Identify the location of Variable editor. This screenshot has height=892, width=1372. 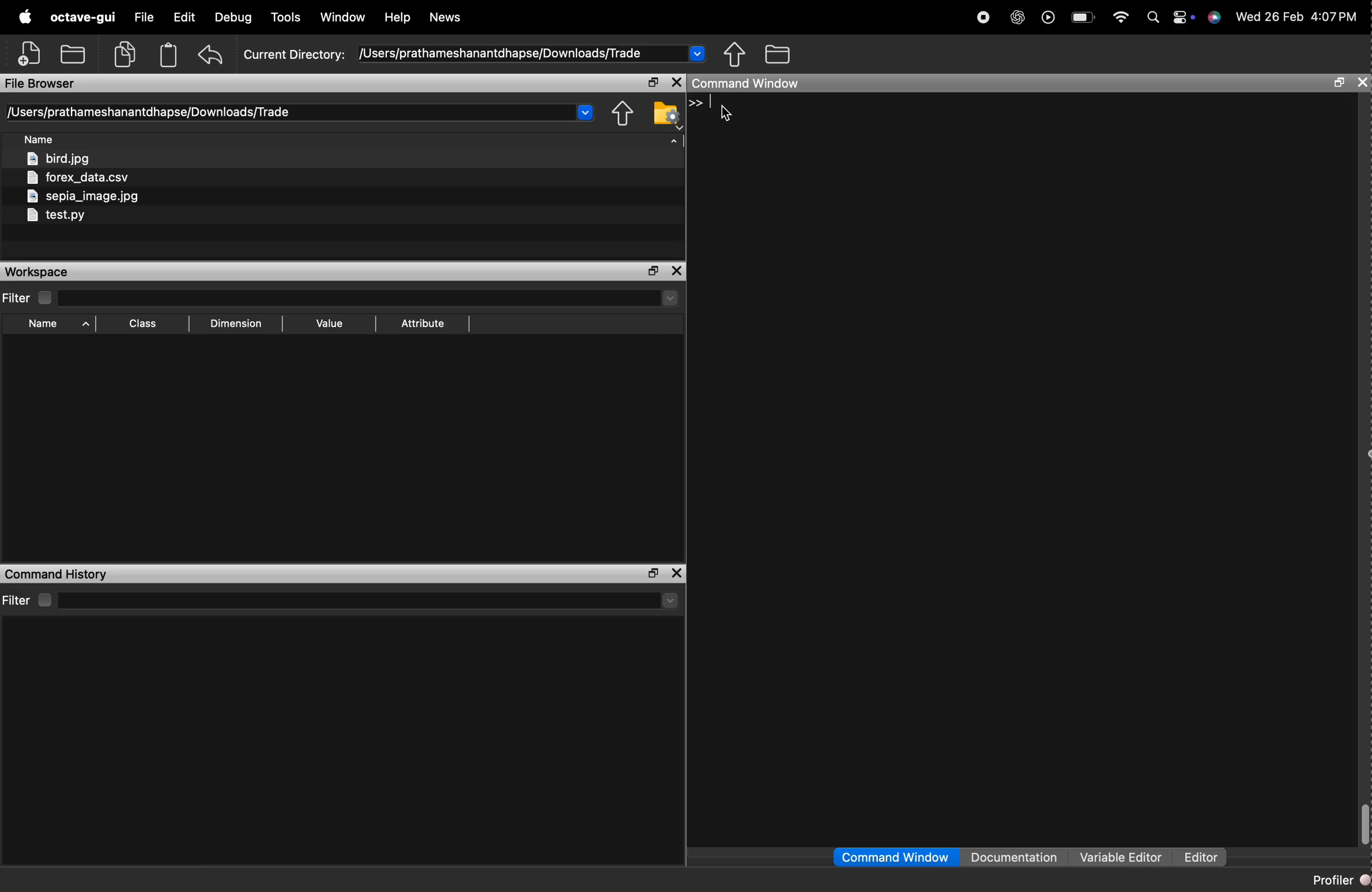
(1123, 856).